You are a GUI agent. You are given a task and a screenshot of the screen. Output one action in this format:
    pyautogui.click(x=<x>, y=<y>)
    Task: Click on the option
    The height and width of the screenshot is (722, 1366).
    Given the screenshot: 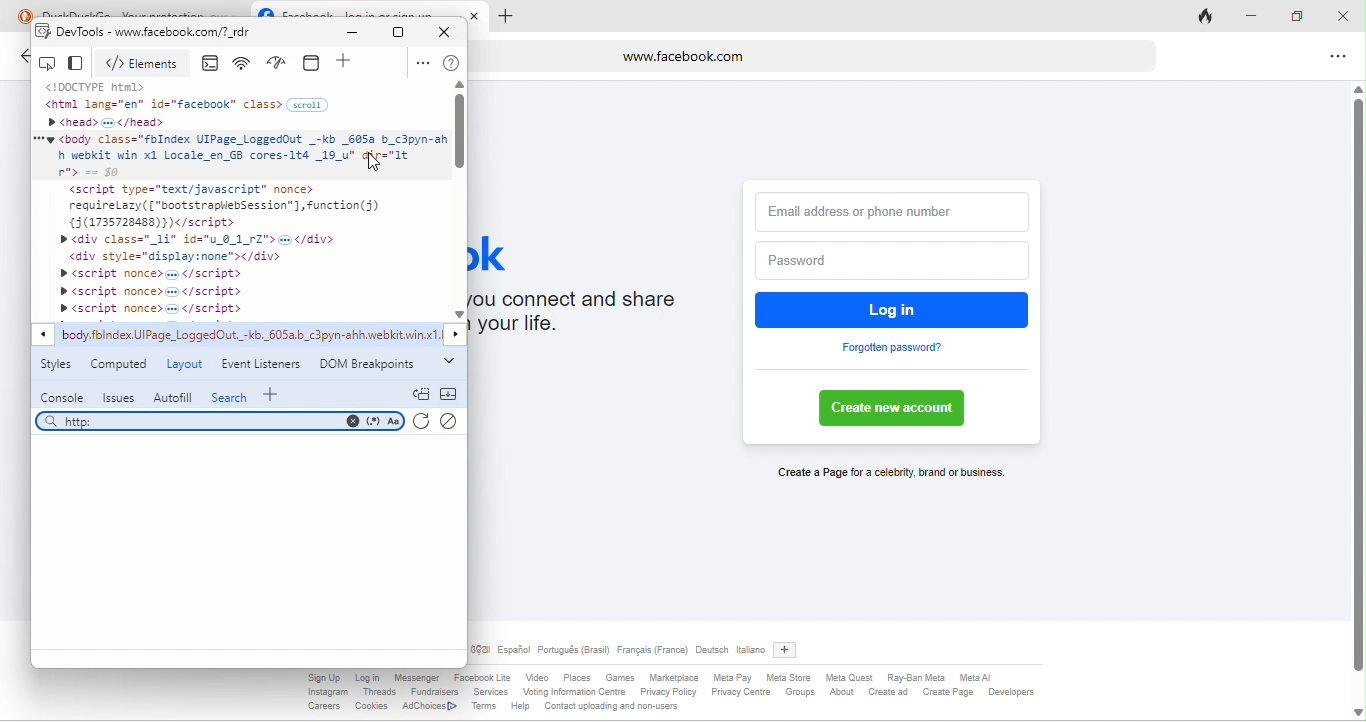 What is the action you would take?
    pyautogui.click(x=421, y=63)
    